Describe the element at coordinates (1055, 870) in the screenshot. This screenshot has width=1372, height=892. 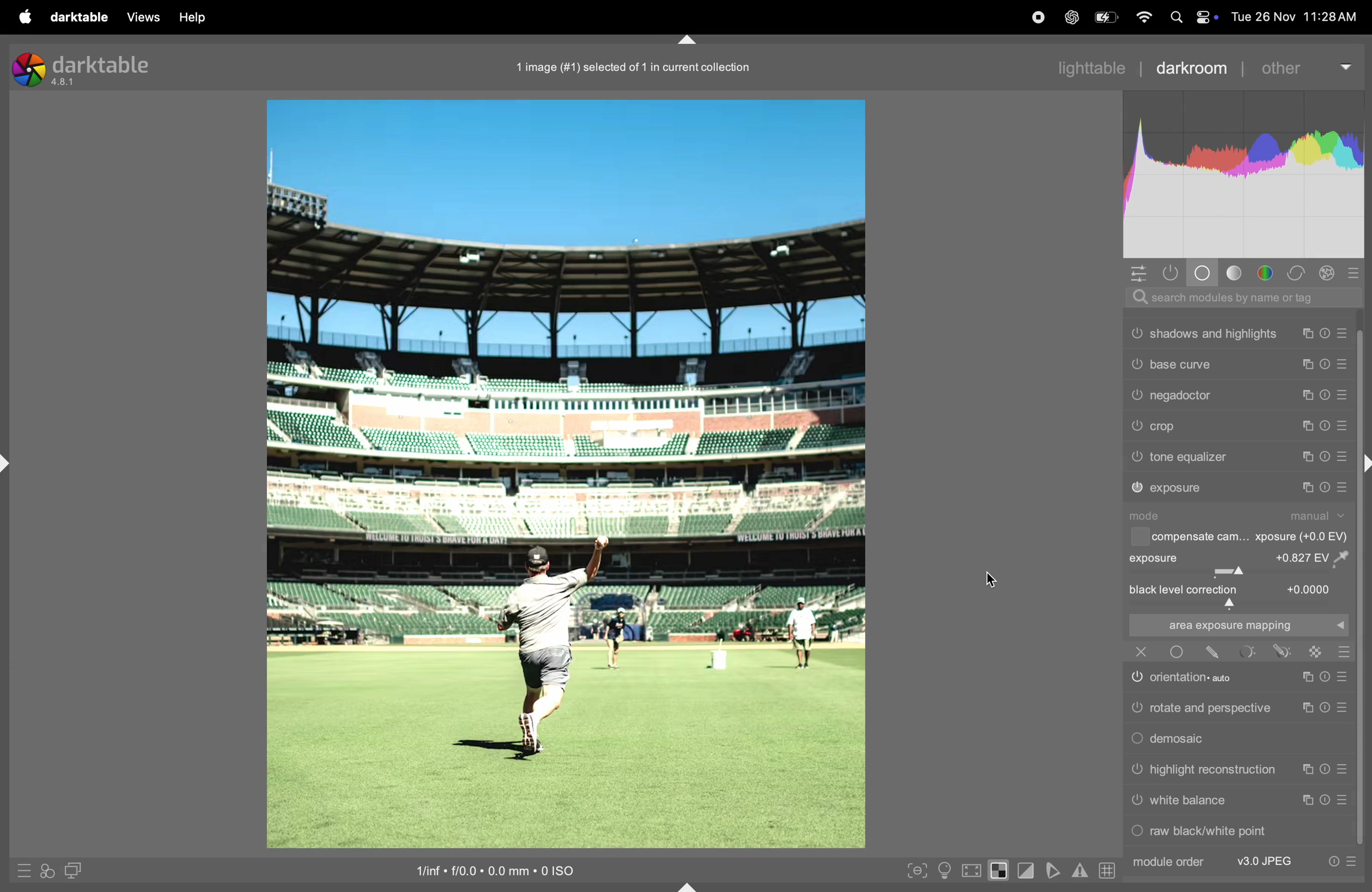
I see `soften` at that location.